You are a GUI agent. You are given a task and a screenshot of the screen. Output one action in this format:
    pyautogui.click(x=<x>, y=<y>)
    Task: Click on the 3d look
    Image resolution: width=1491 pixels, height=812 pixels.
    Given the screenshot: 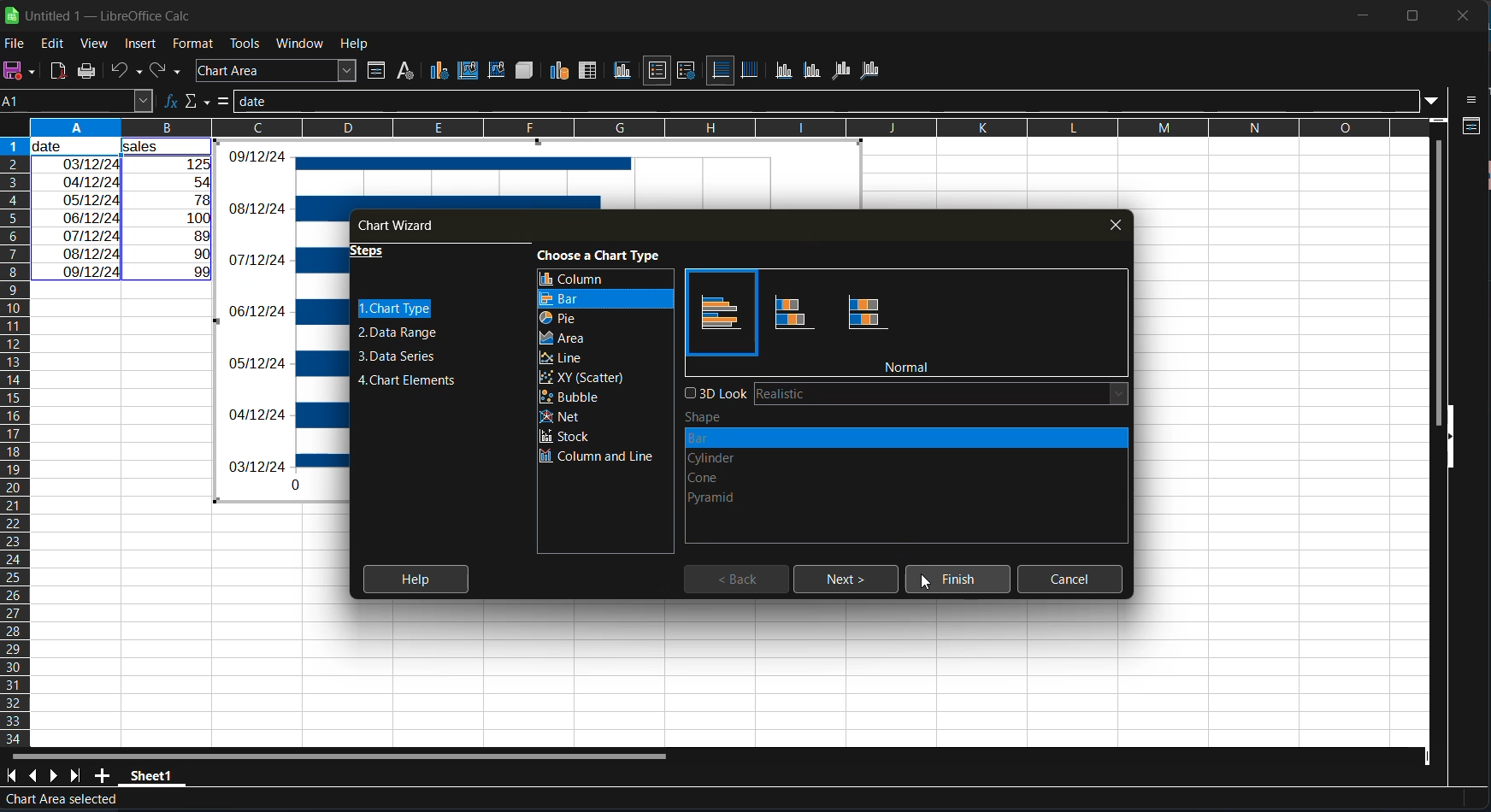 What is the action you would take?
    pyautogui.click(x=908, y=392)
    